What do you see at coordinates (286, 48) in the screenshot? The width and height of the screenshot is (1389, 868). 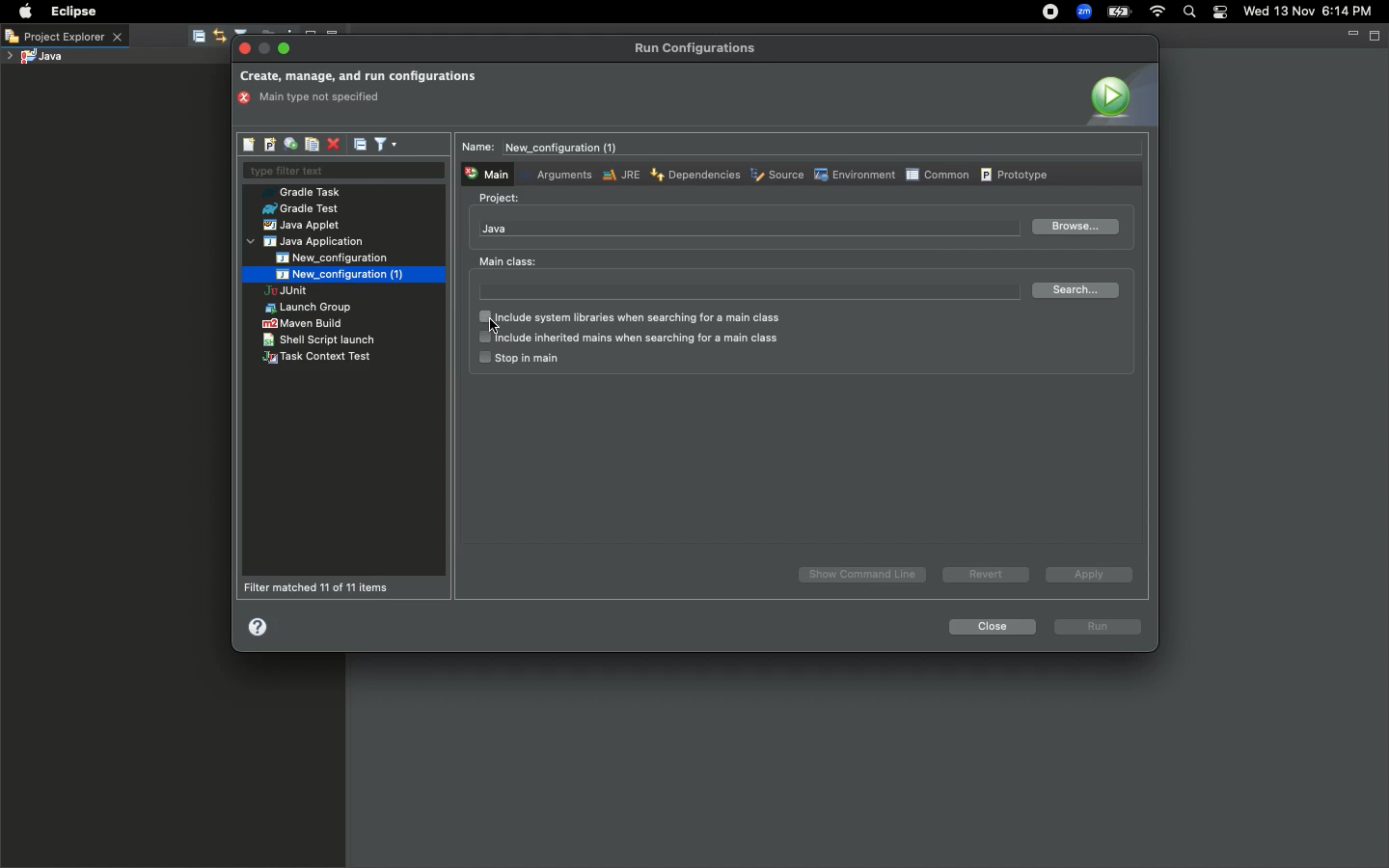 I see `Maximize` at bounding box center [286, 48].